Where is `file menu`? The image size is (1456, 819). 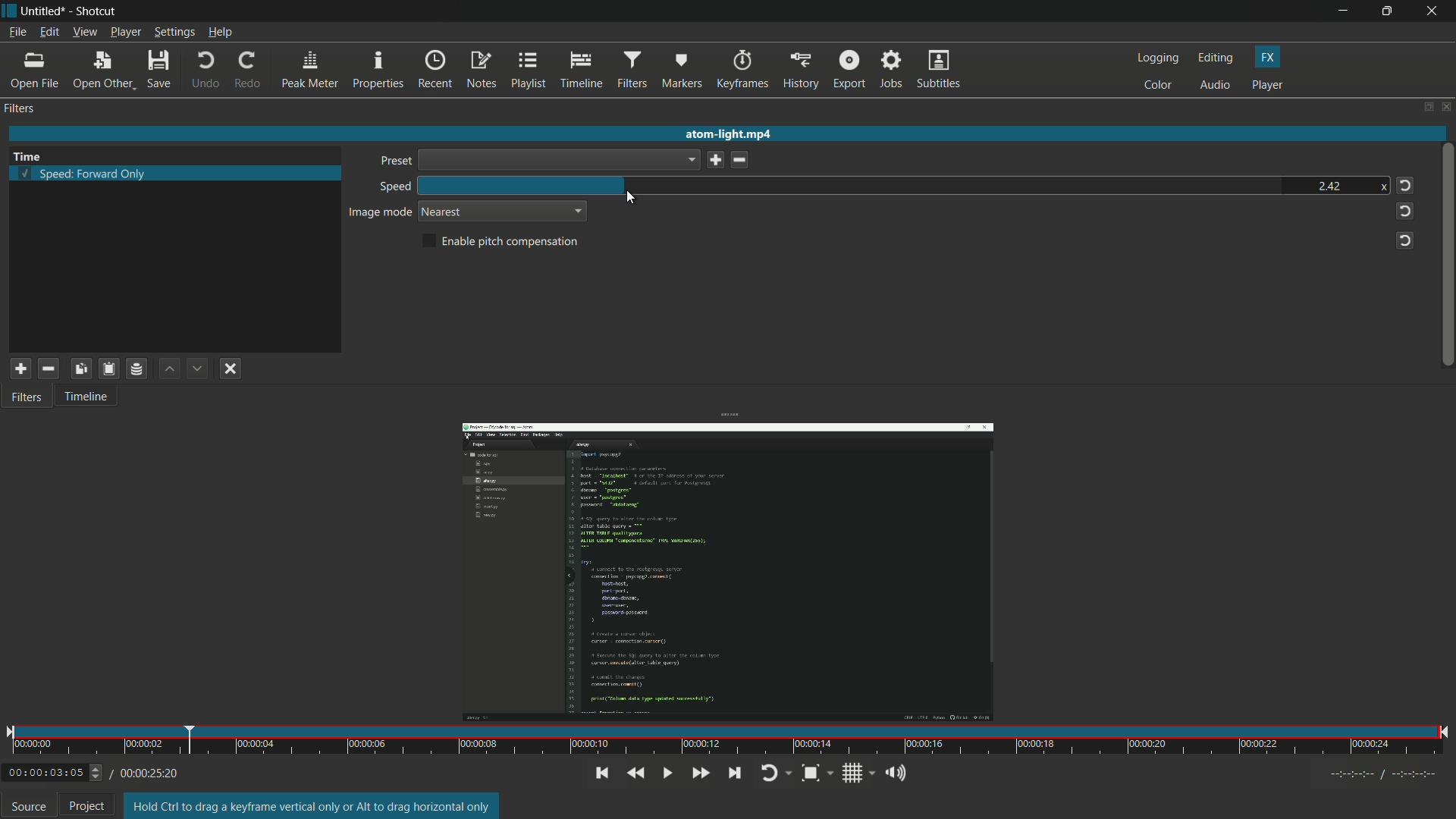
file menu is located at coordinates (17, 32).